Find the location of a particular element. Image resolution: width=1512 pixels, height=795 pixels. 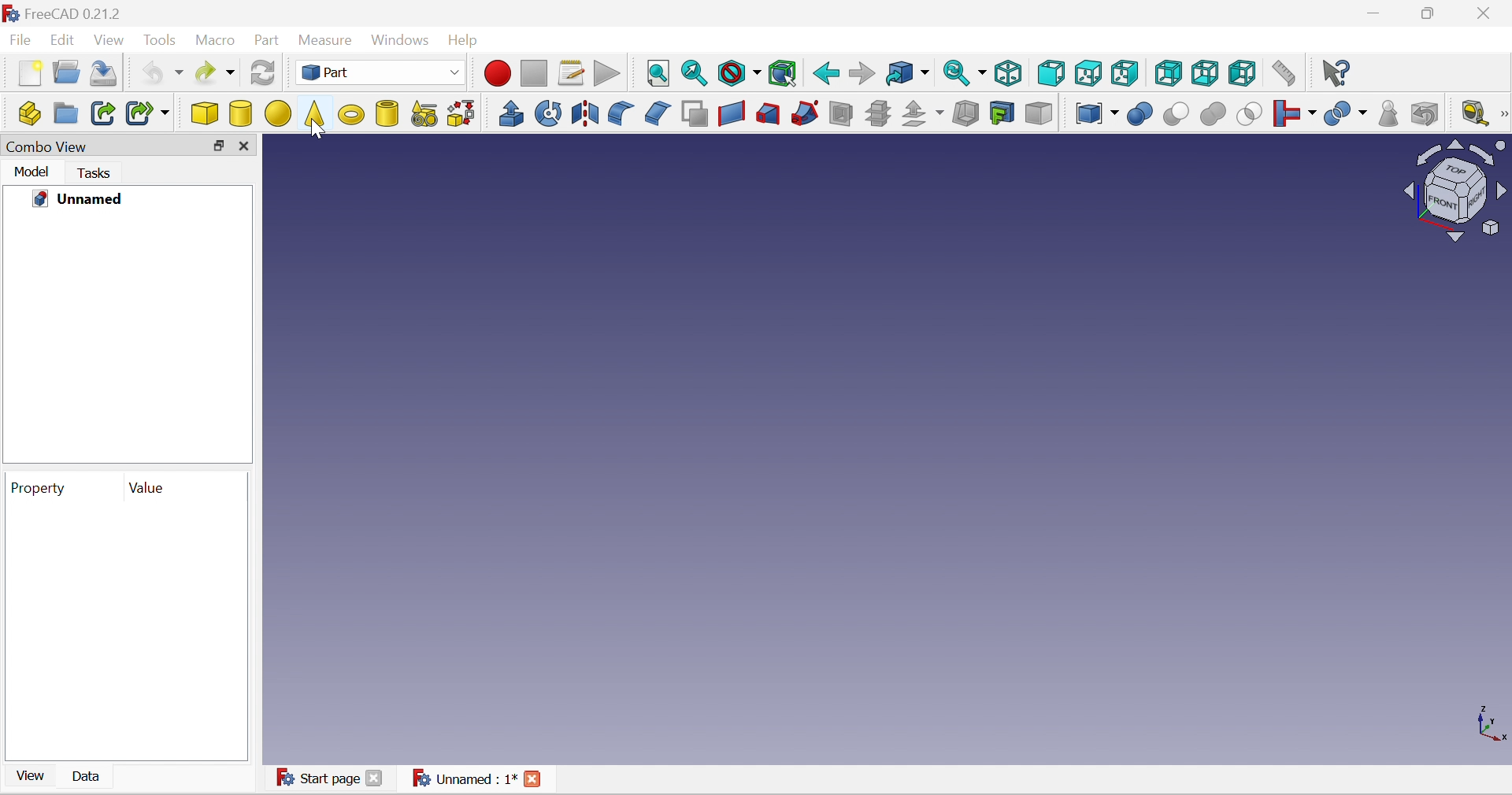

Open is located at coordinates (69, 72).